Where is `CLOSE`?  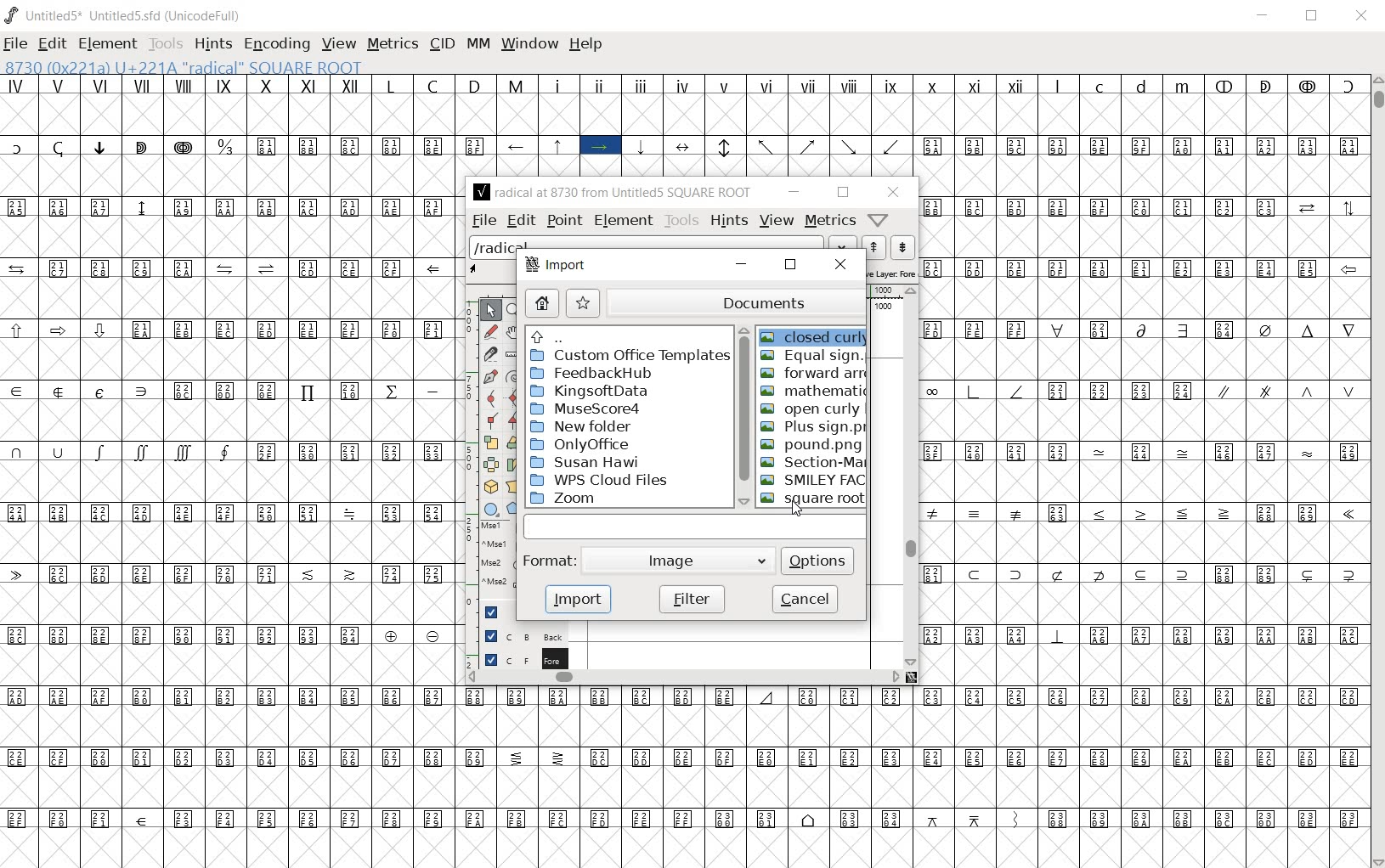
CLOSE is located at coordinates (1362, 15).